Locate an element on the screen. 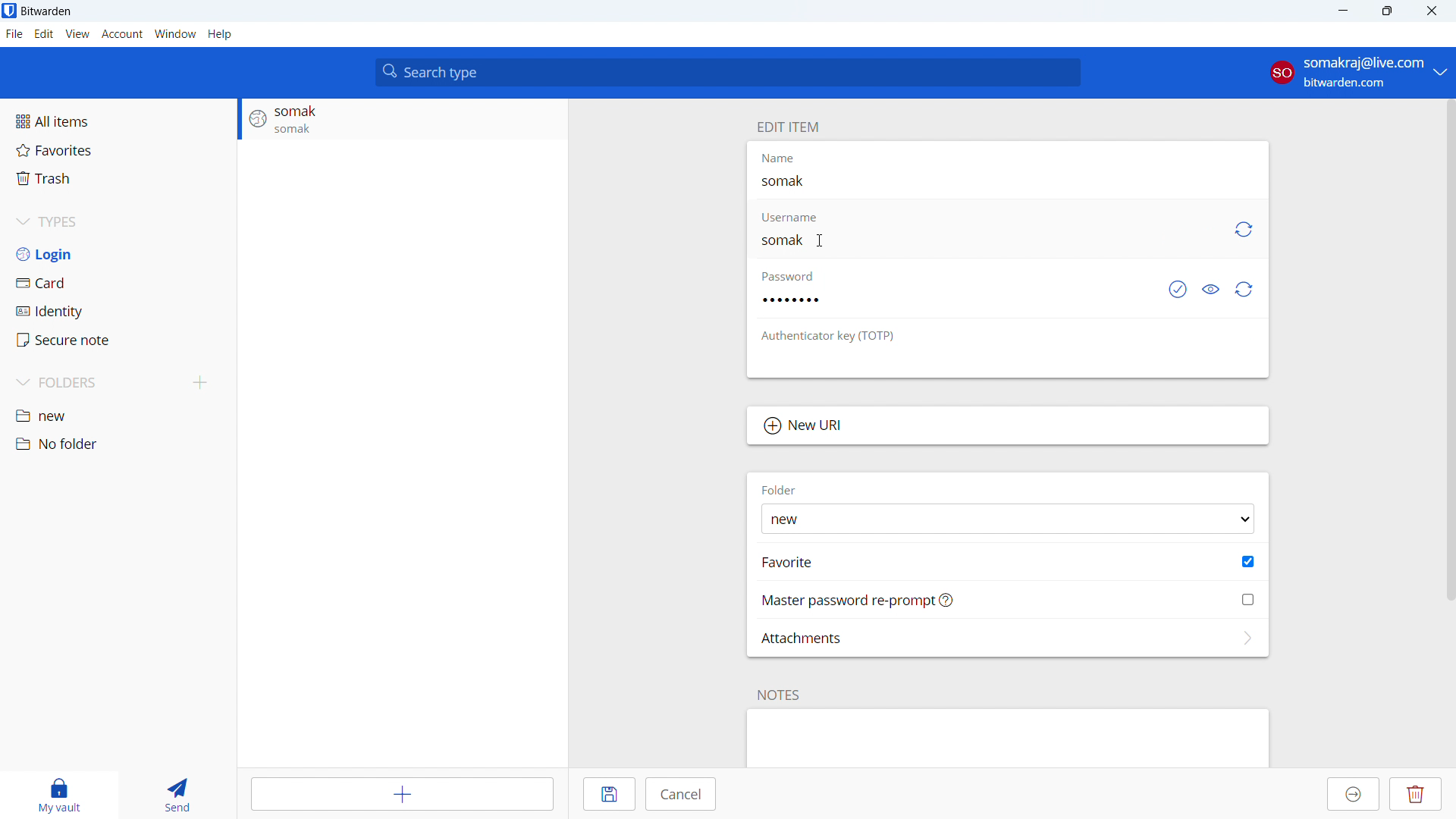  close is located at coordinates (1430, 11).